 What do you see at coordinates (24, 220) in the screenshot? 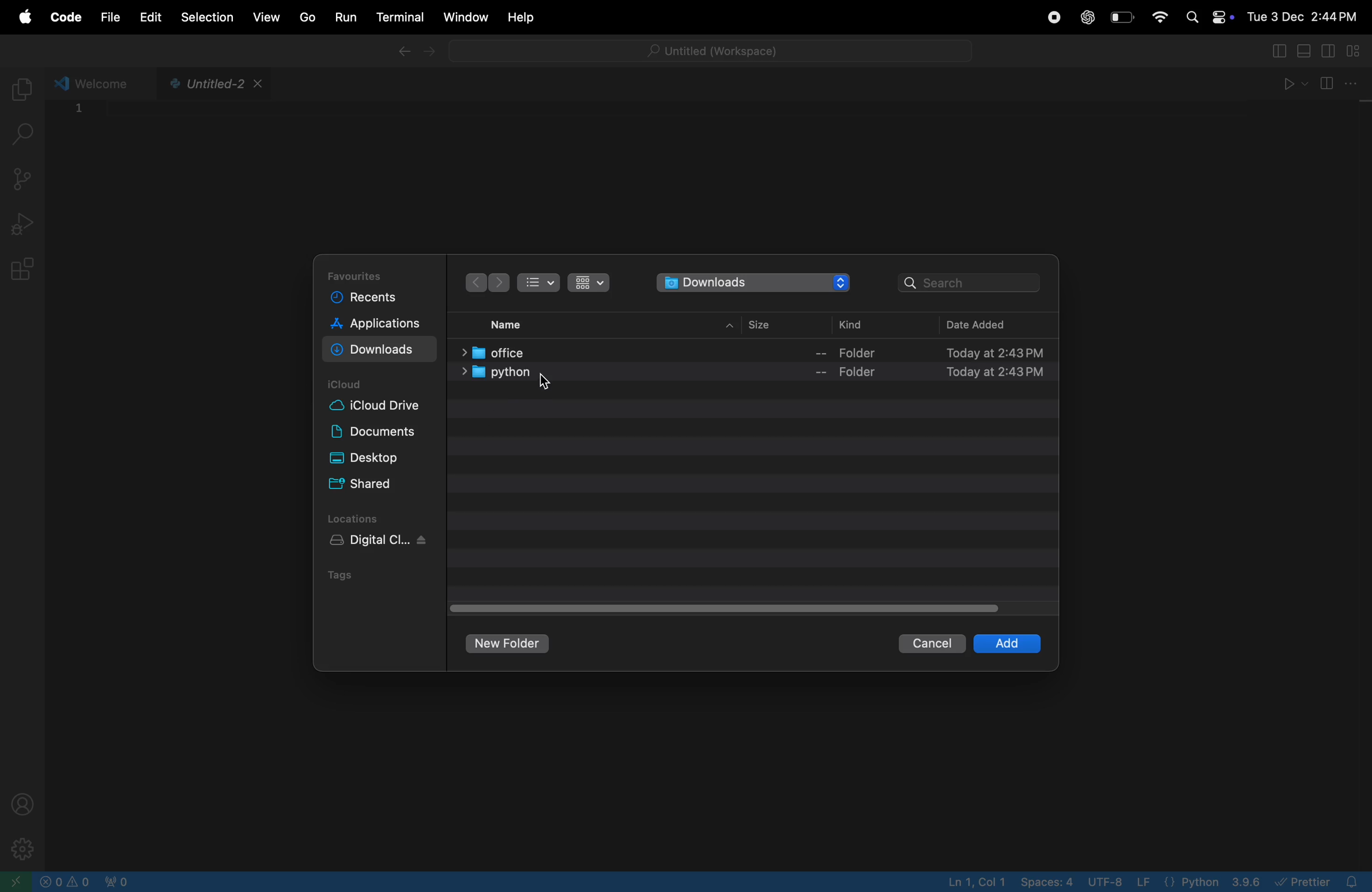
I see `run debug` at bounding box center [24, 220].